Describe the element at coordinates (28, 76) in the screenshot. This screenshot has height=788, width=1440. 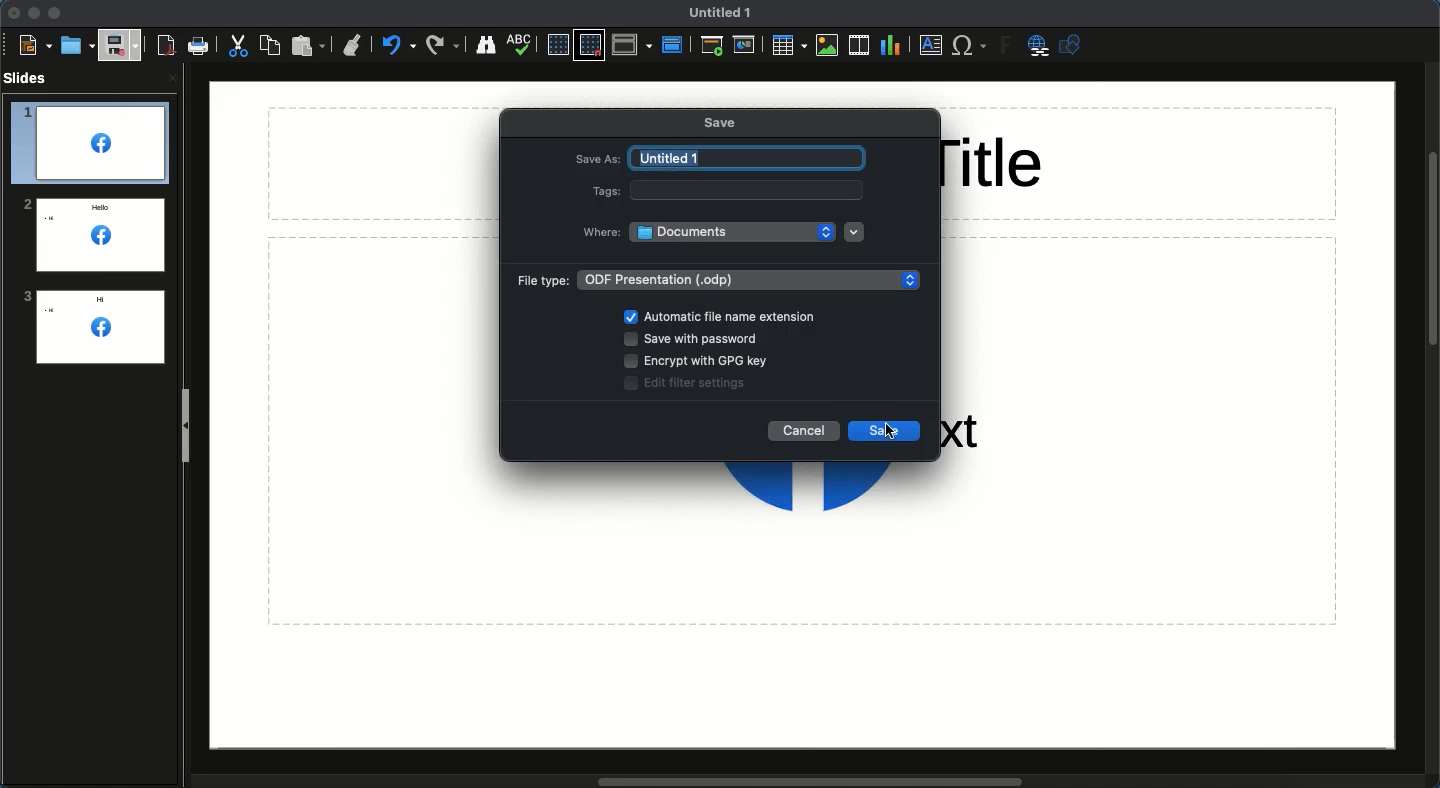
I see `Slides` at that location.